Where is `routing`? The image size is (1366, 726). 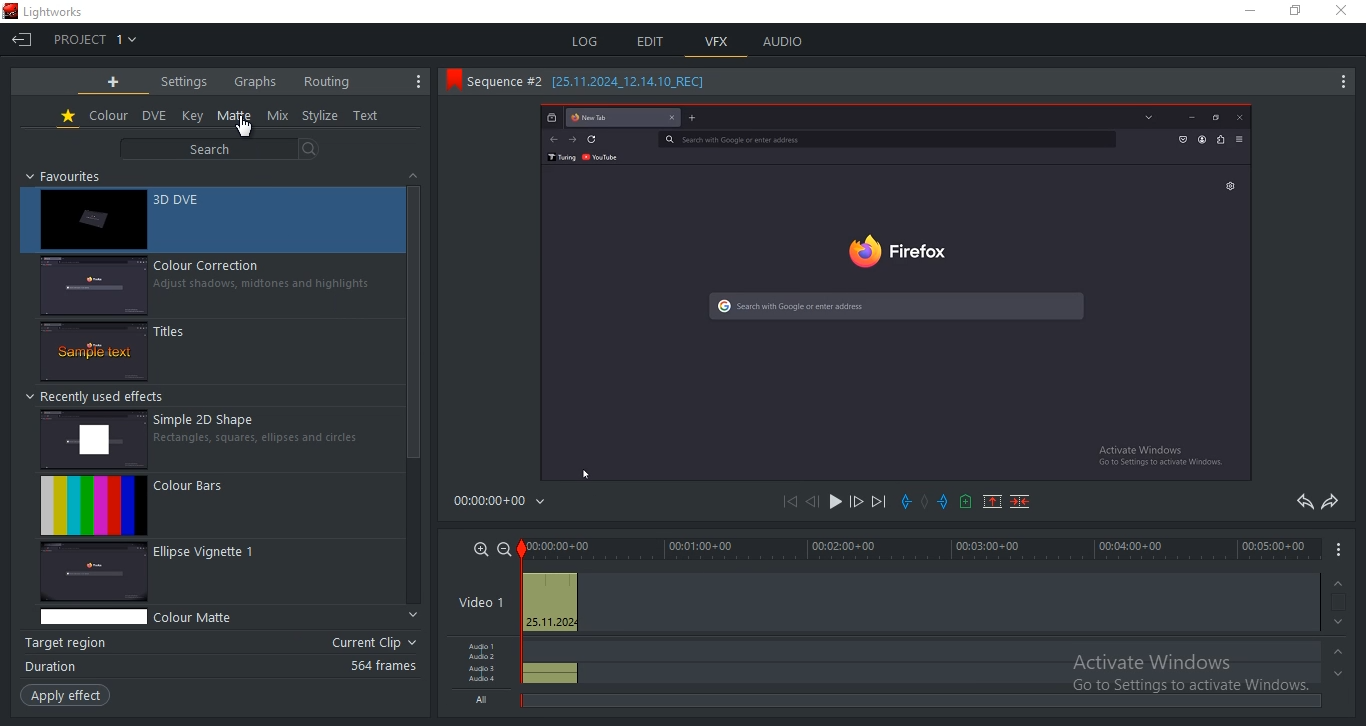
routing is located at coordinates (326, 81).